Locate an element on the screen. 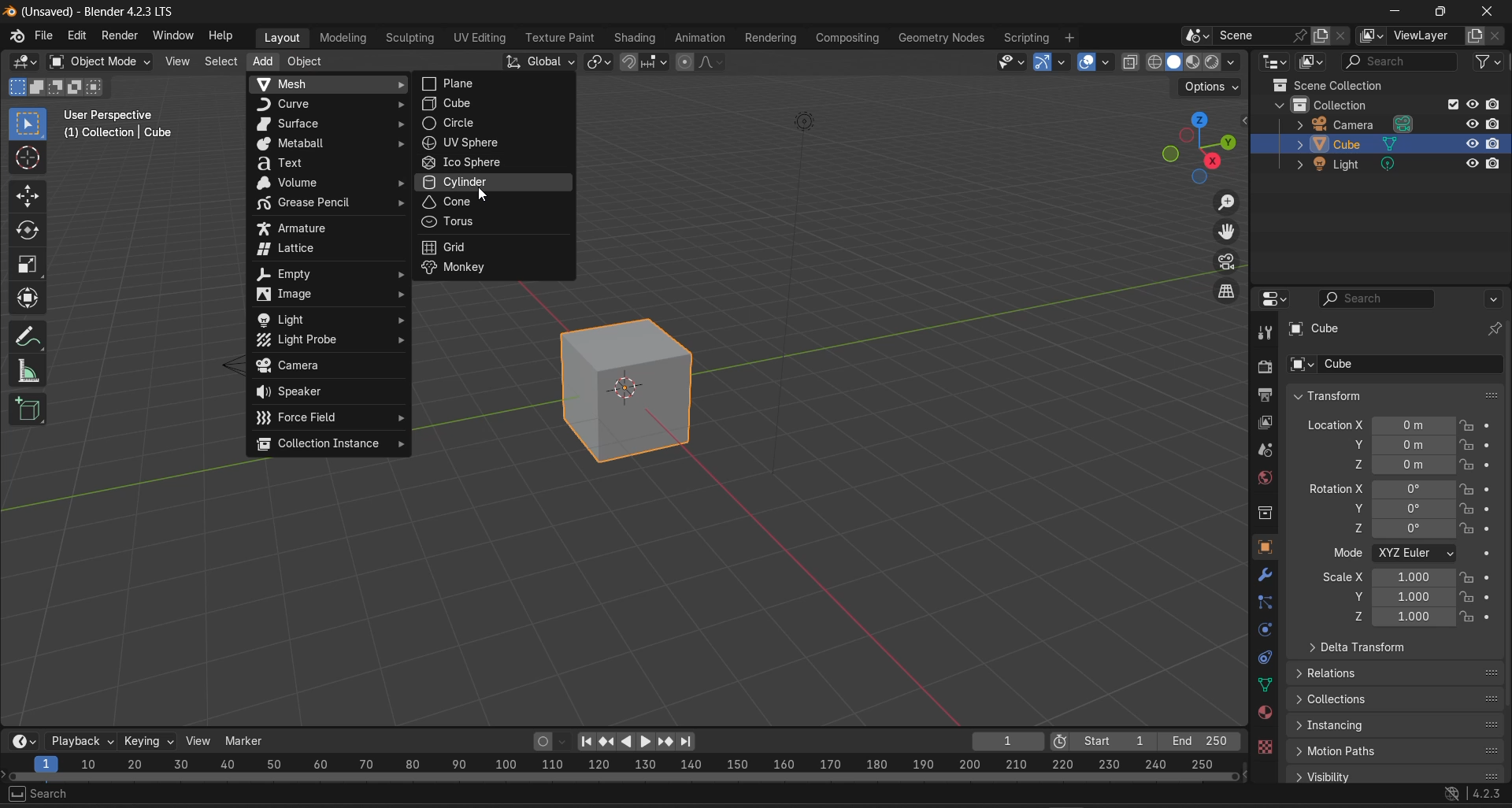 The height and width of the screenshot is (808, 1512). location z is located at coordinates (1401, 465).